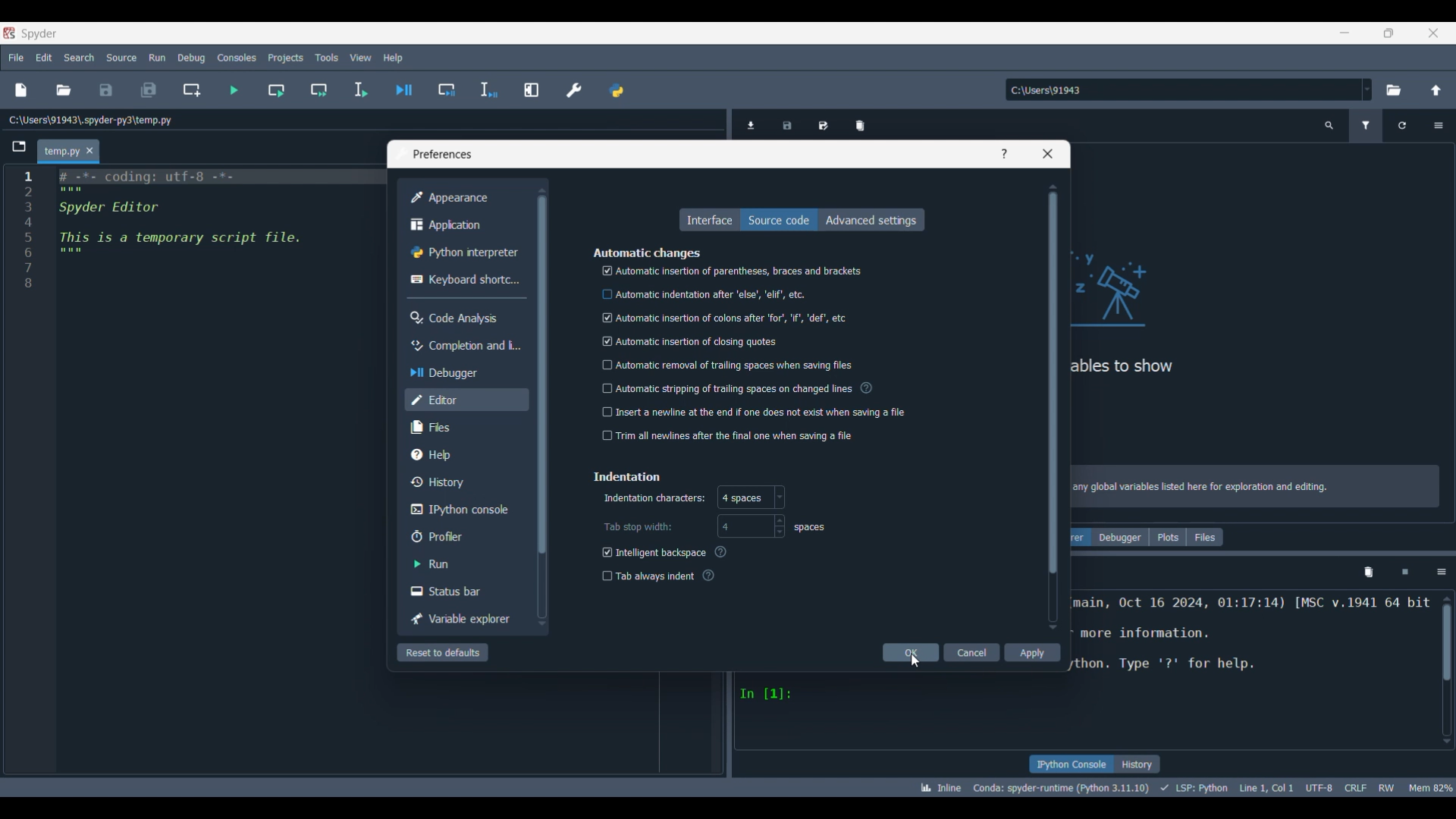 This screenshot has width=1456, height=819. What do you see at coordinates (751, 497) in the screenshot?
I see `Character options` at bounding box center [751, 497].